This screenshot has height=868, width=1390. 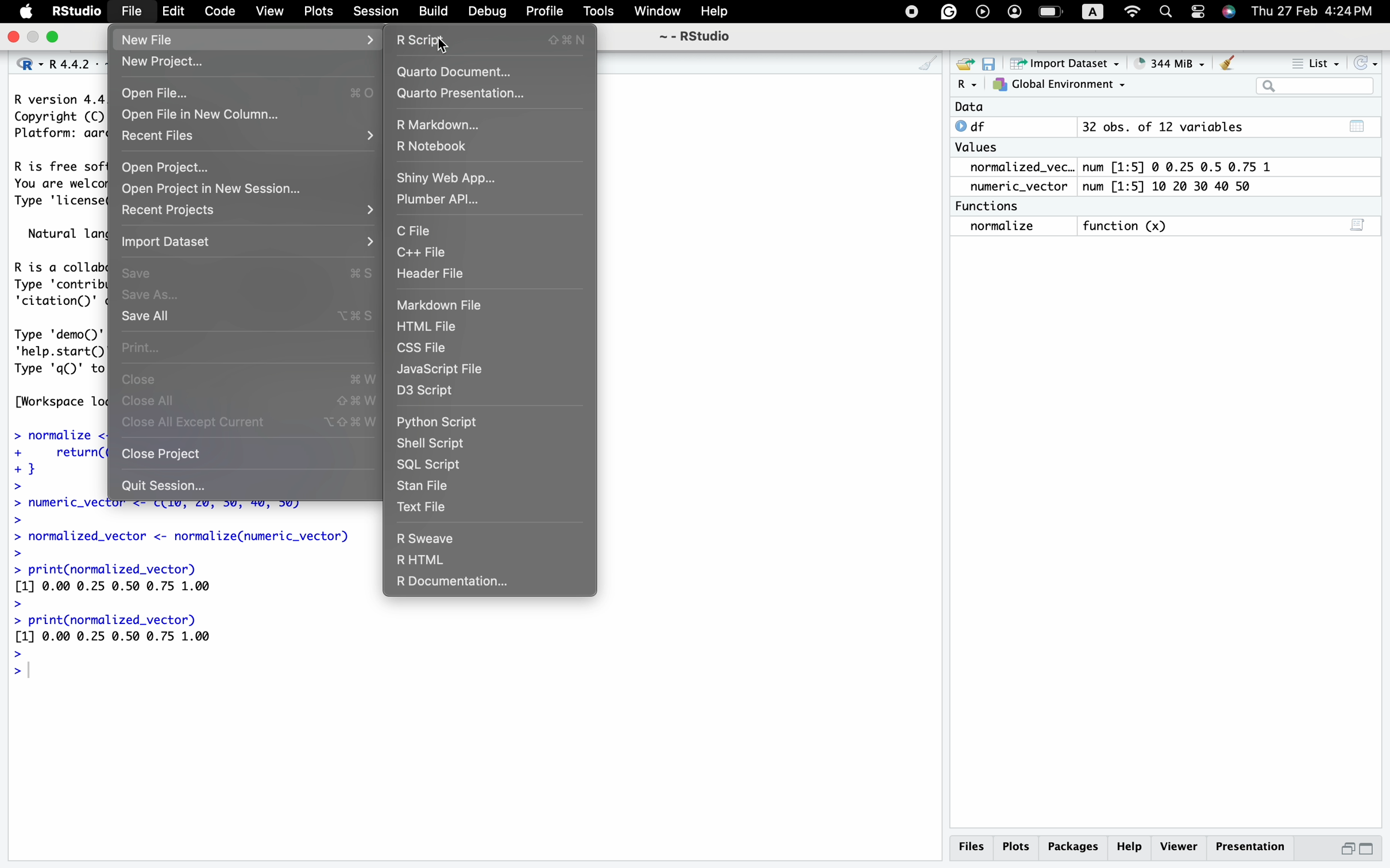 What do you see at coordinates (1165, 13) in the screenshot?
I see `search` at bounding box center [1165, 13].